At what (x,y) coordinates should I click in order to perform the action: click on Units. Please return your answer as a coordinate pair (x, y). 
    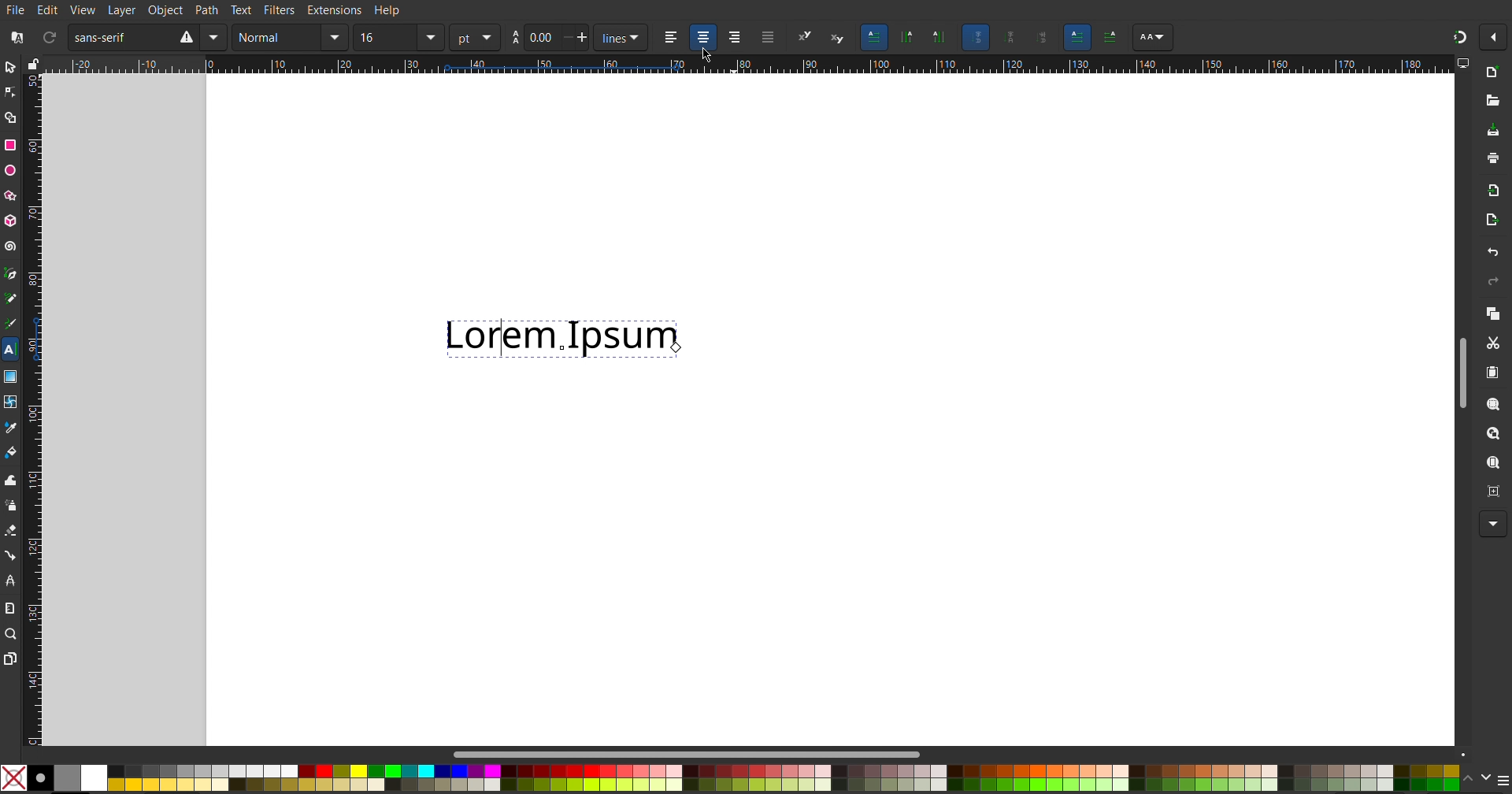
    Looking at the image, I should click on (484, 37).